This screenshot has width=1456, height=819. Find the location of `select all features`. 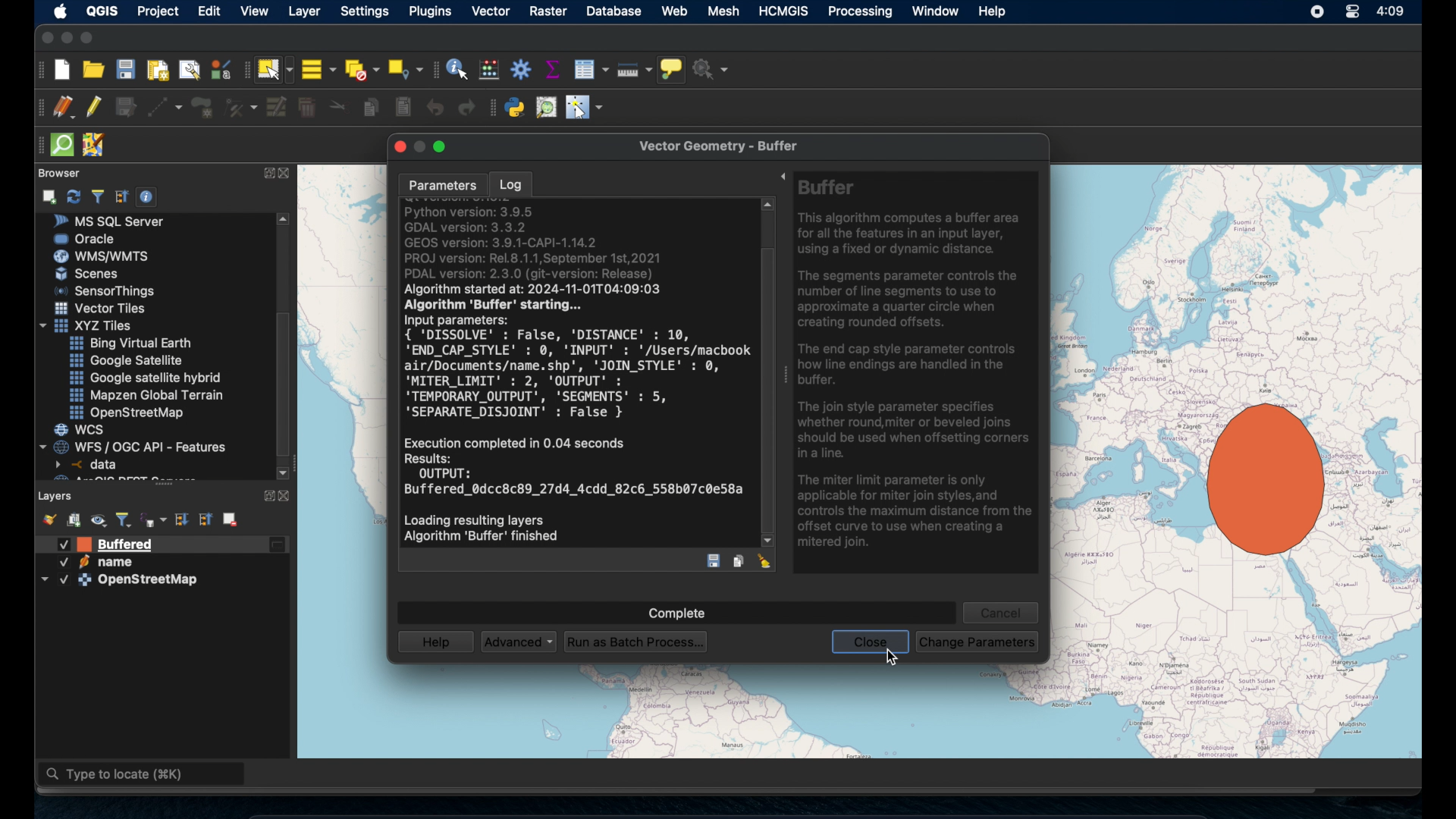

select all features is located at coordinates (318, 69).